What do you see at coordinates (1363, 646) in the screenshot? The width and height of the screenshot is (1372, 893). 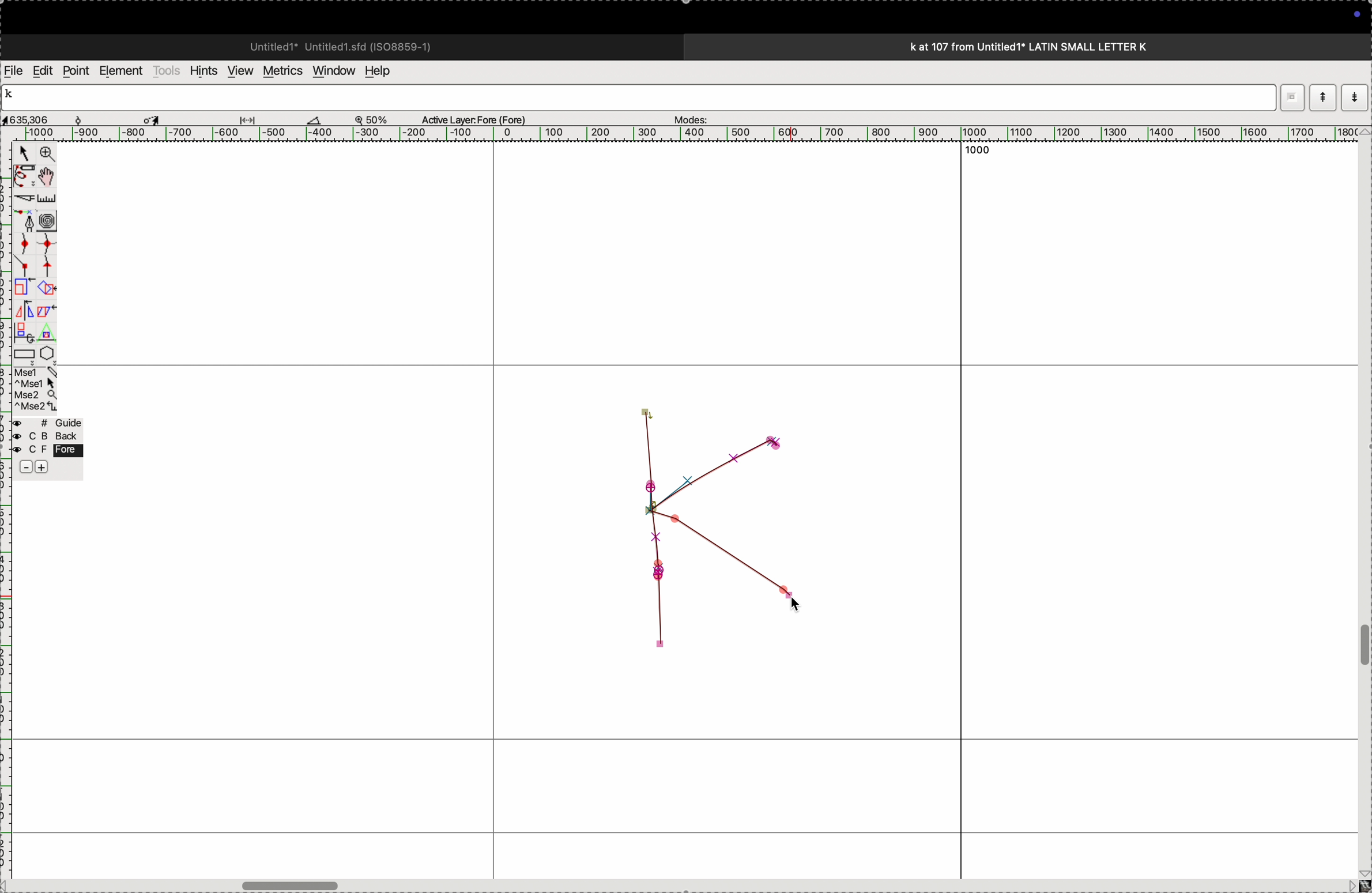 I see `toggle` at bounding box center [1363, 646].